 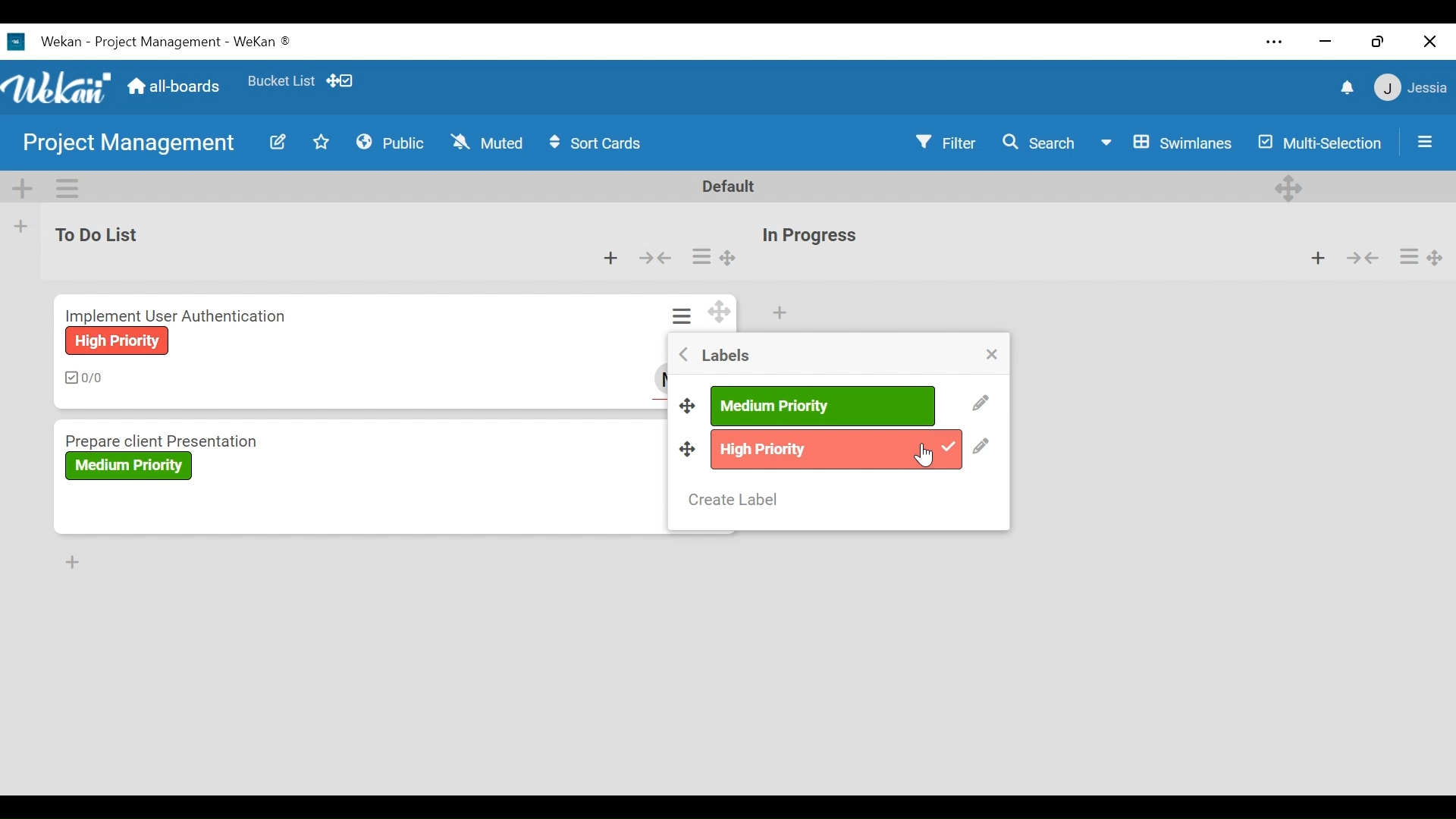 What do you see at coordinates (927, 457) in the screenshot?
I see `Cursor` at bounding box center [927, 457].